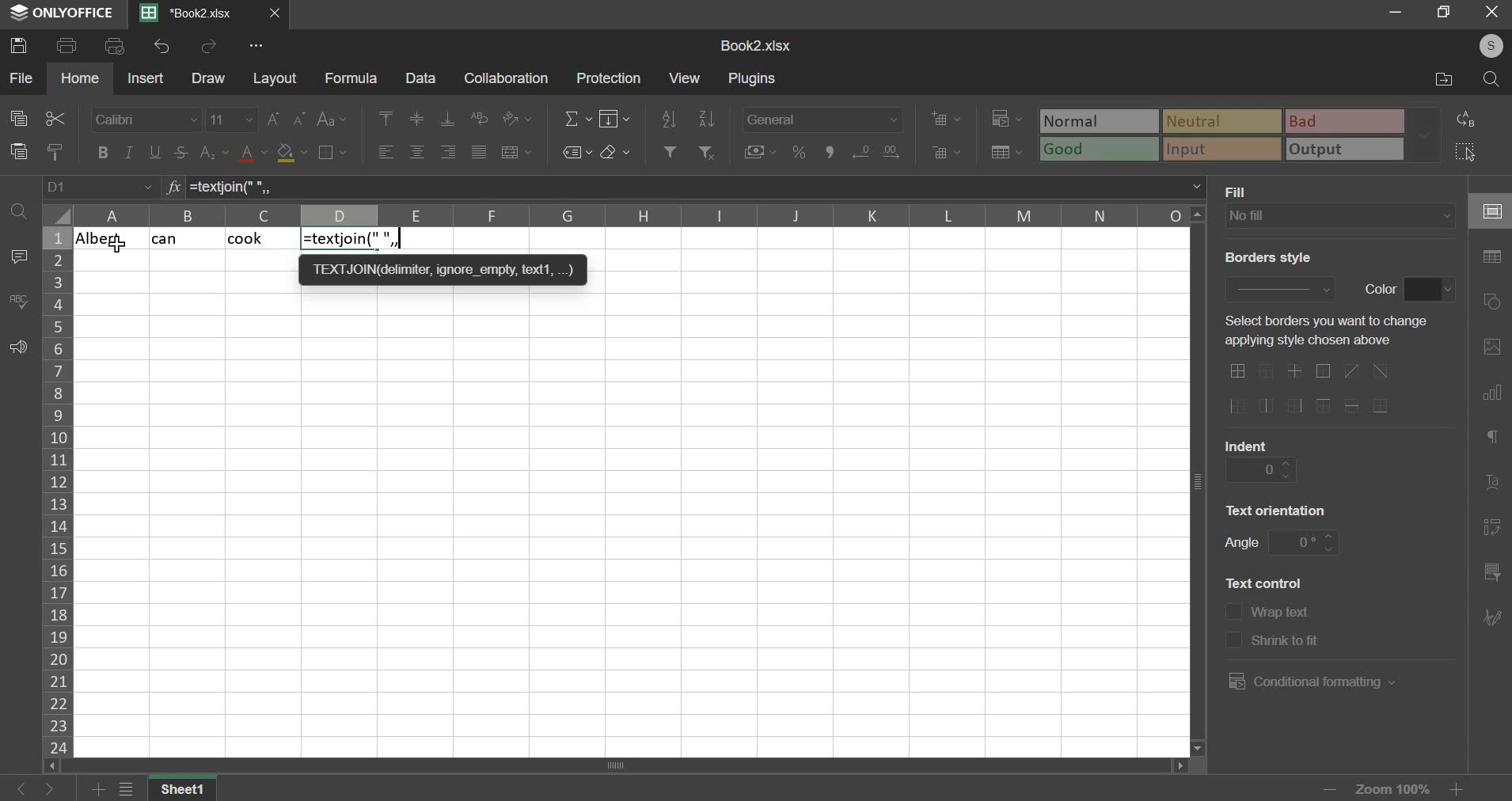 Image resolution: width=1512 pixels, height=801 pixels. I want to click on conditional formatting, so click(1005, 120).